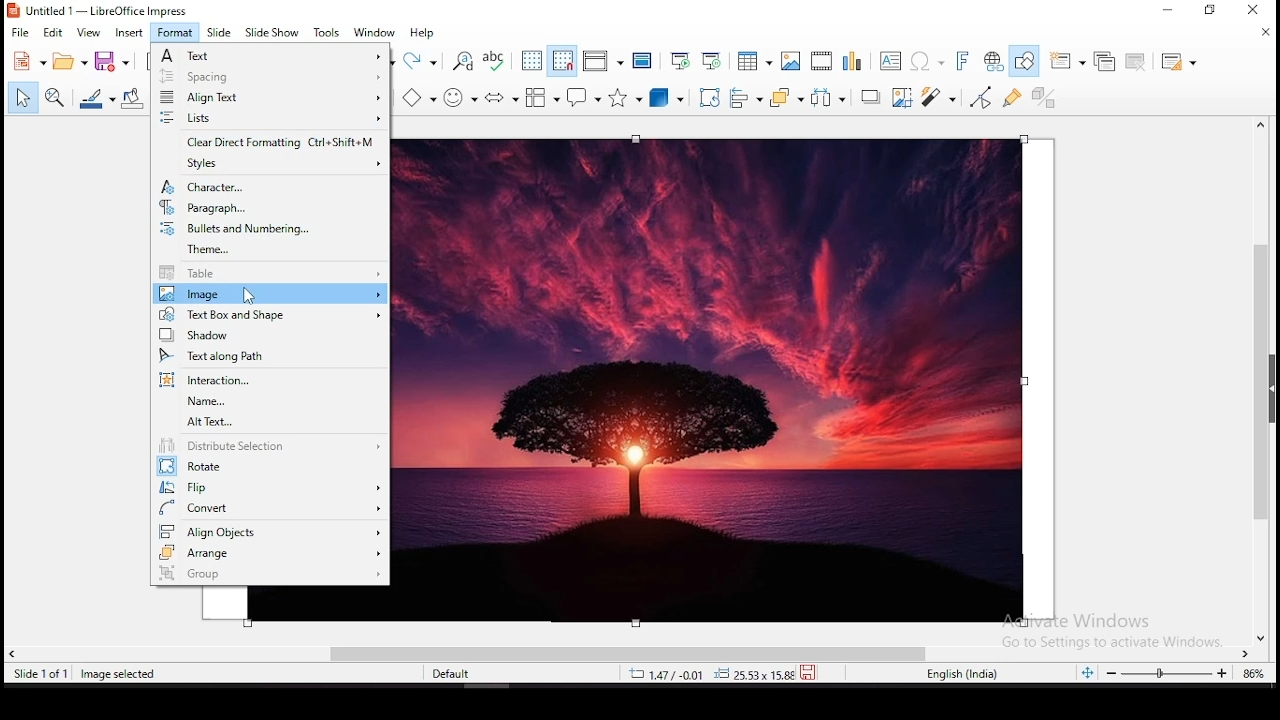 The width and height of the screenshot is (1280, 720). What do you see at coordinates (419, 97) in the screenshot?
I see `basic shapes` at bounding box center [419, 97].